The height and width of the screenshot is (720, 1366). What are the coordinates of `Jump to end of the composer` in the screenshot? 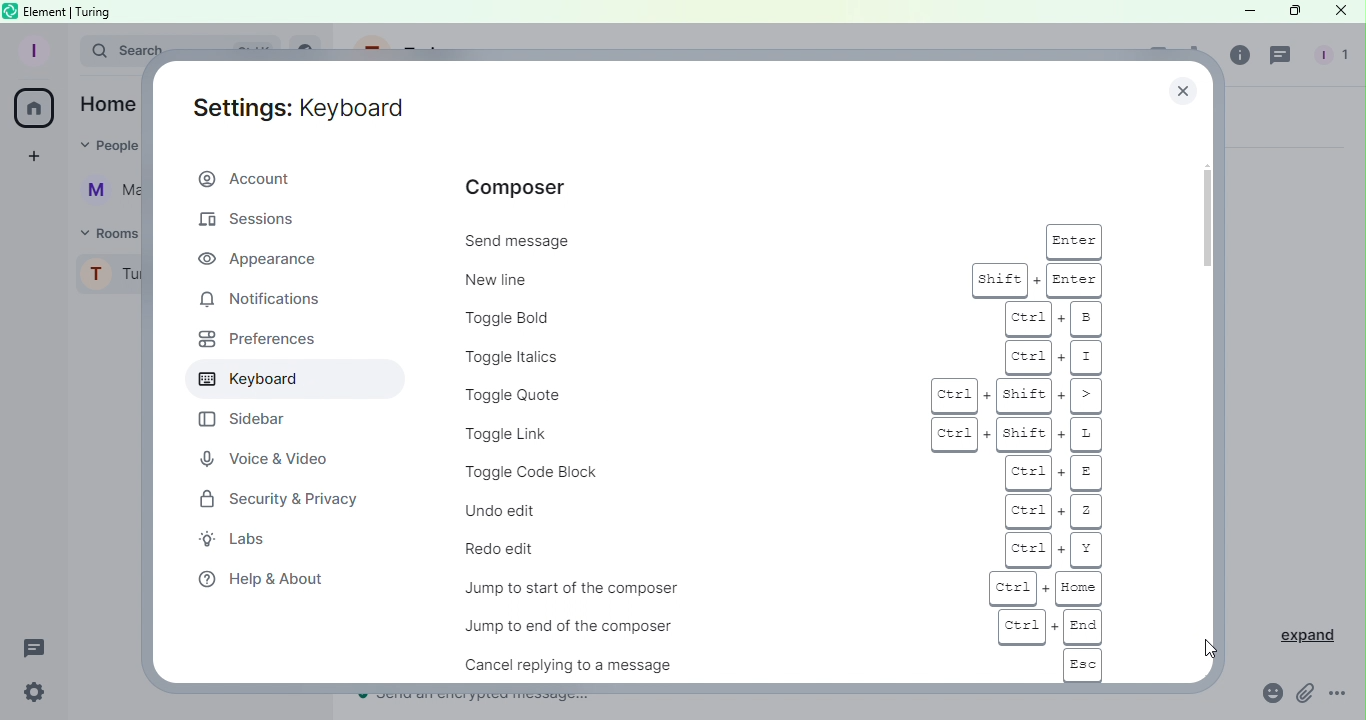 It's located at (641, 626).